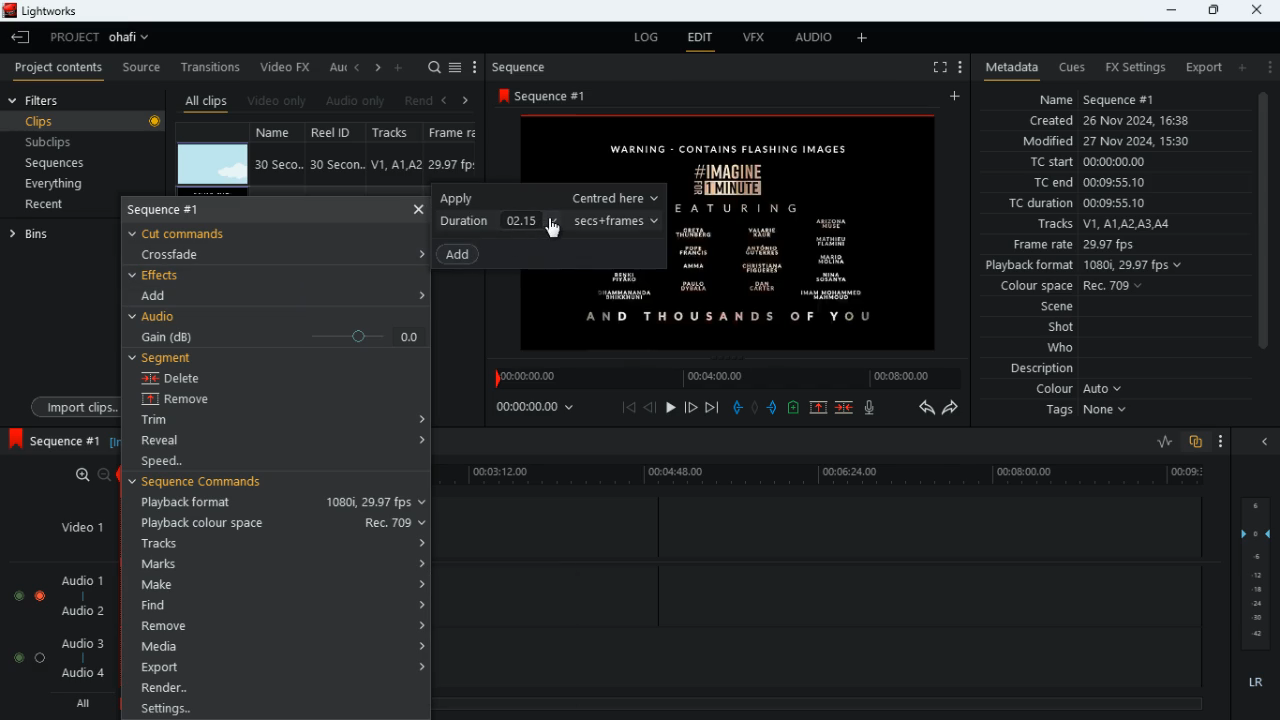 Image resolution: width=1280 pixels, height=720 pixels. What do you see at coordinates (419, 442) in the screenshot?
I see `Accordion` at bounding box center [419, 442].